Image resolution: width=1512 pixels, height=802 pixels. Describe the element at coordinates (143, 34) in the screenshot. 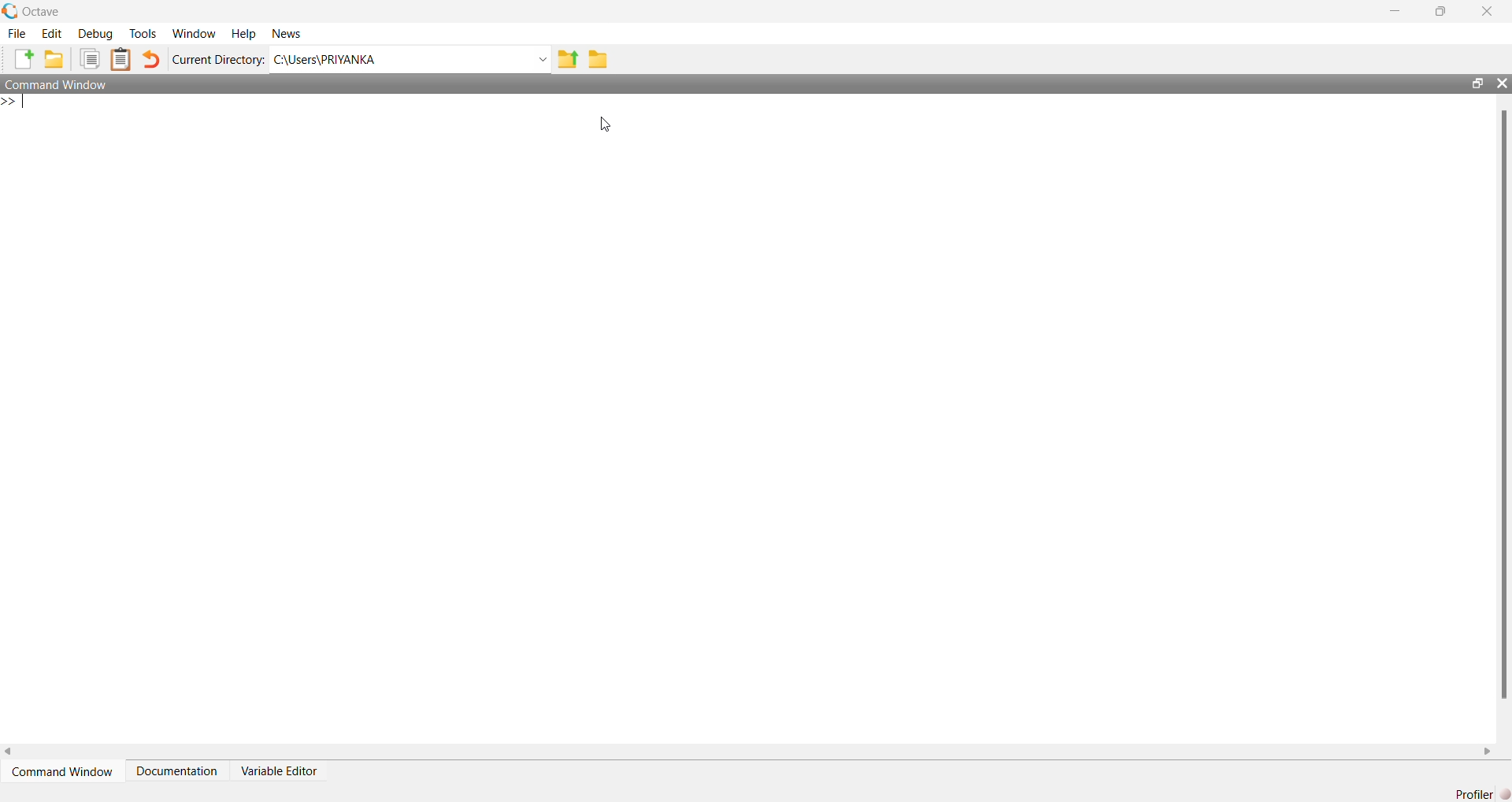

I see `Tools` at that location.